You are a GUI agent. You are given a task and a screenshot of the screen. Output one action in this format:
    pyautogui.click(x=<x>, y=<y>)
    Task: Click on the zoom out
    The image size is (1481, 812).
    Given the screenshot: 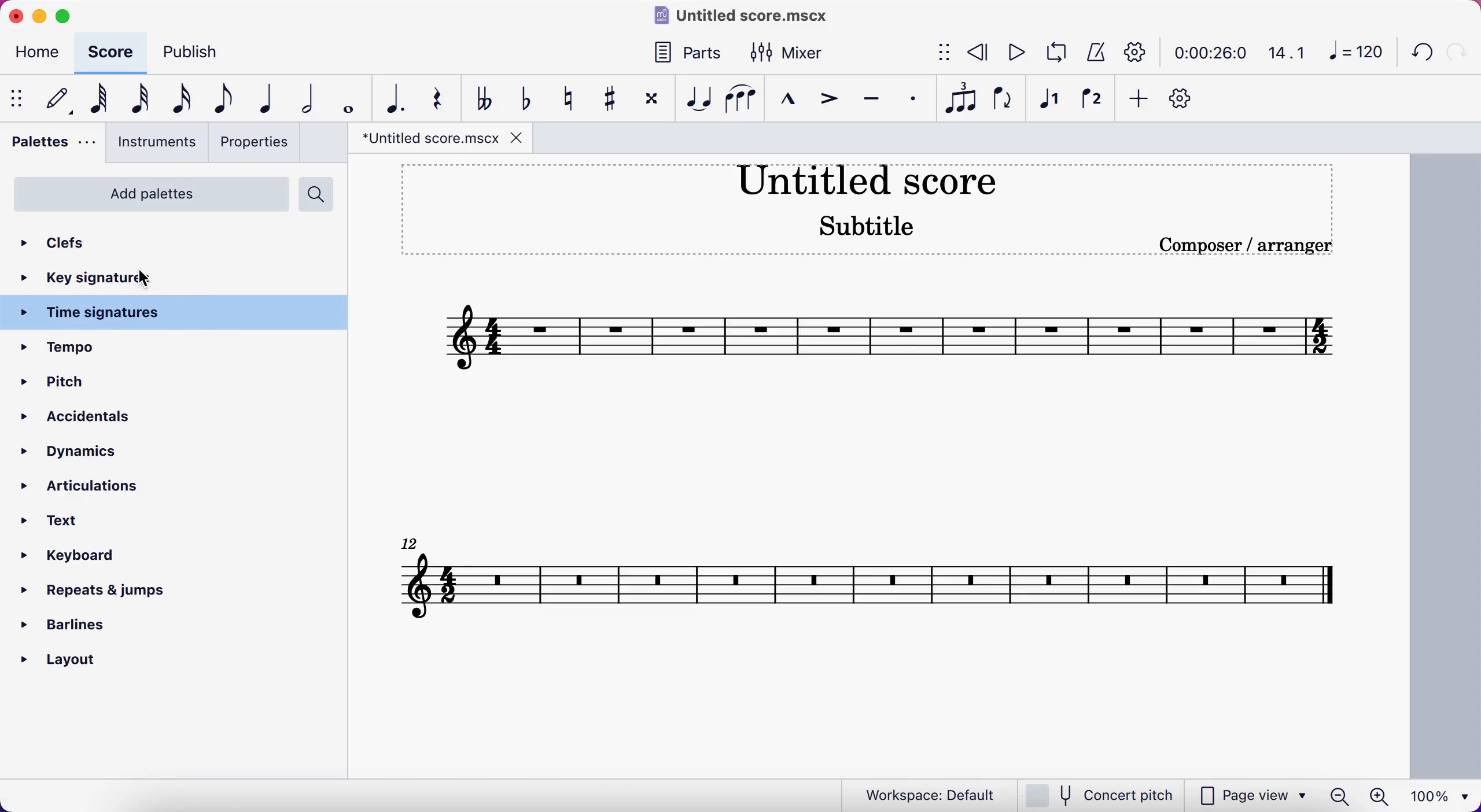 What is the action you would take?
    pyautogui.click(x=1339, y=796)
    